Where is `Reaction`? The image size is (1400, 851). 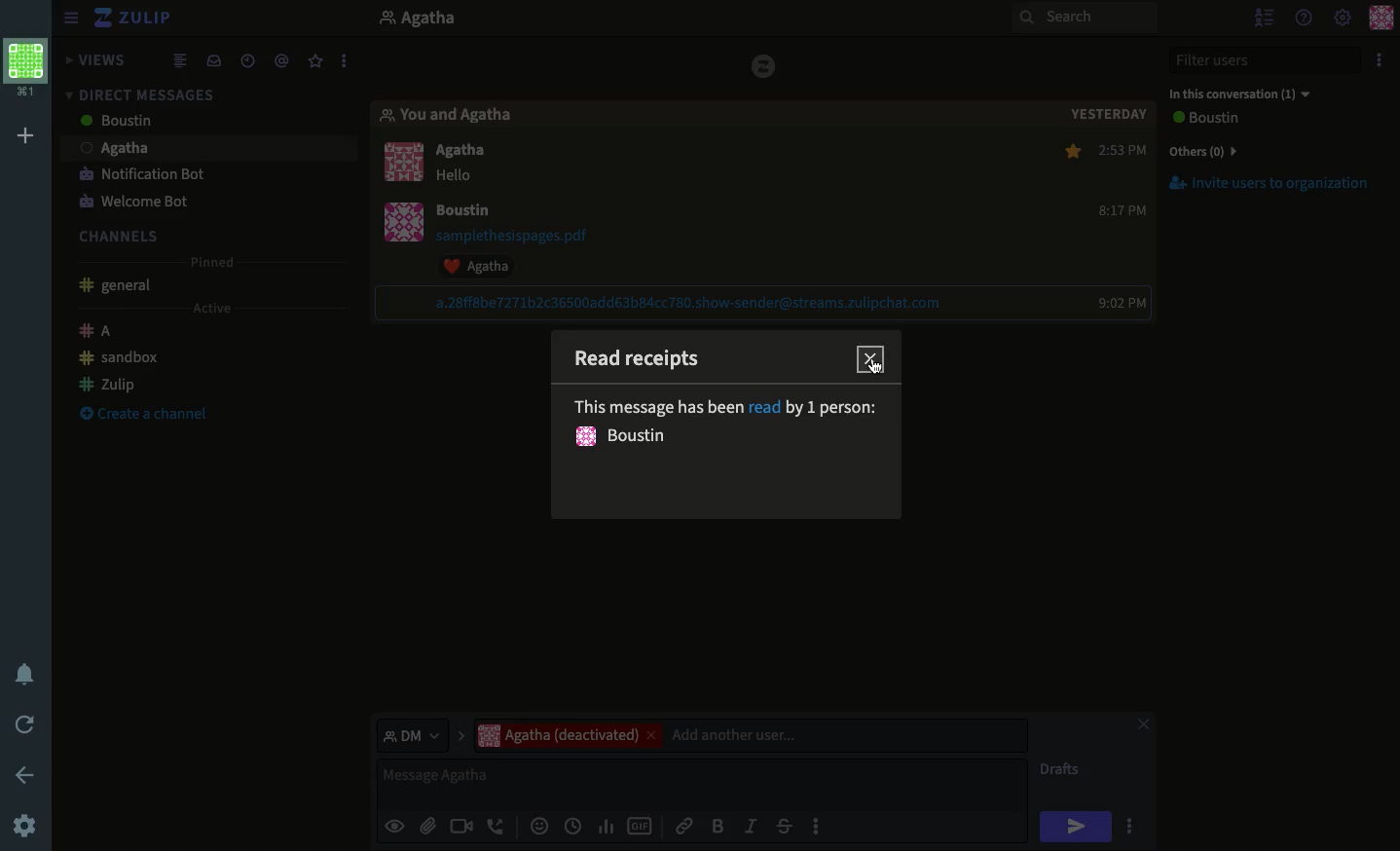 Reaction is located at coordinates (487, 266).